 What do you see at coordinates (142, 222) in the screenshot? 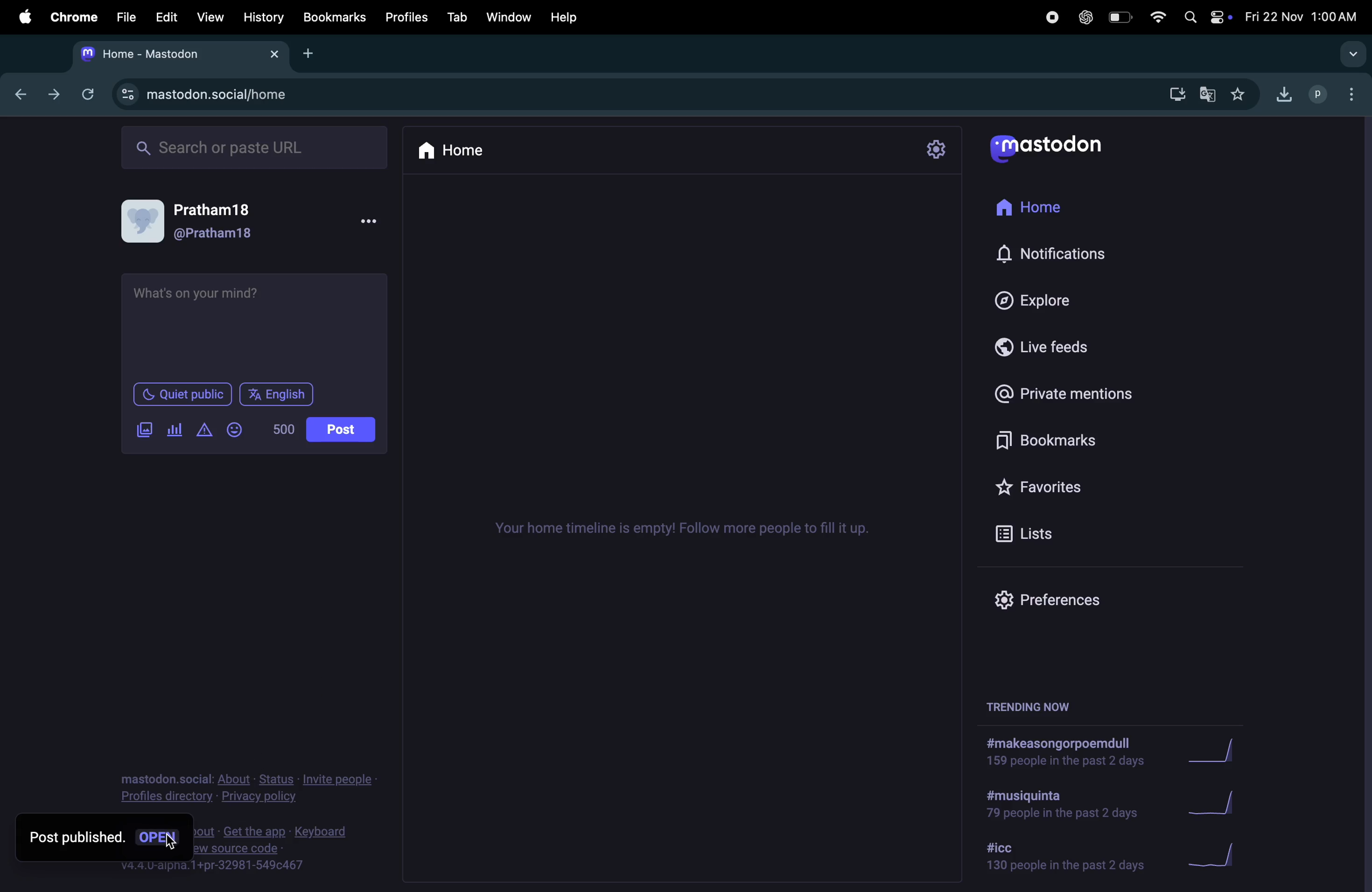
I see `Display picture` at bounding box center [142, 222].